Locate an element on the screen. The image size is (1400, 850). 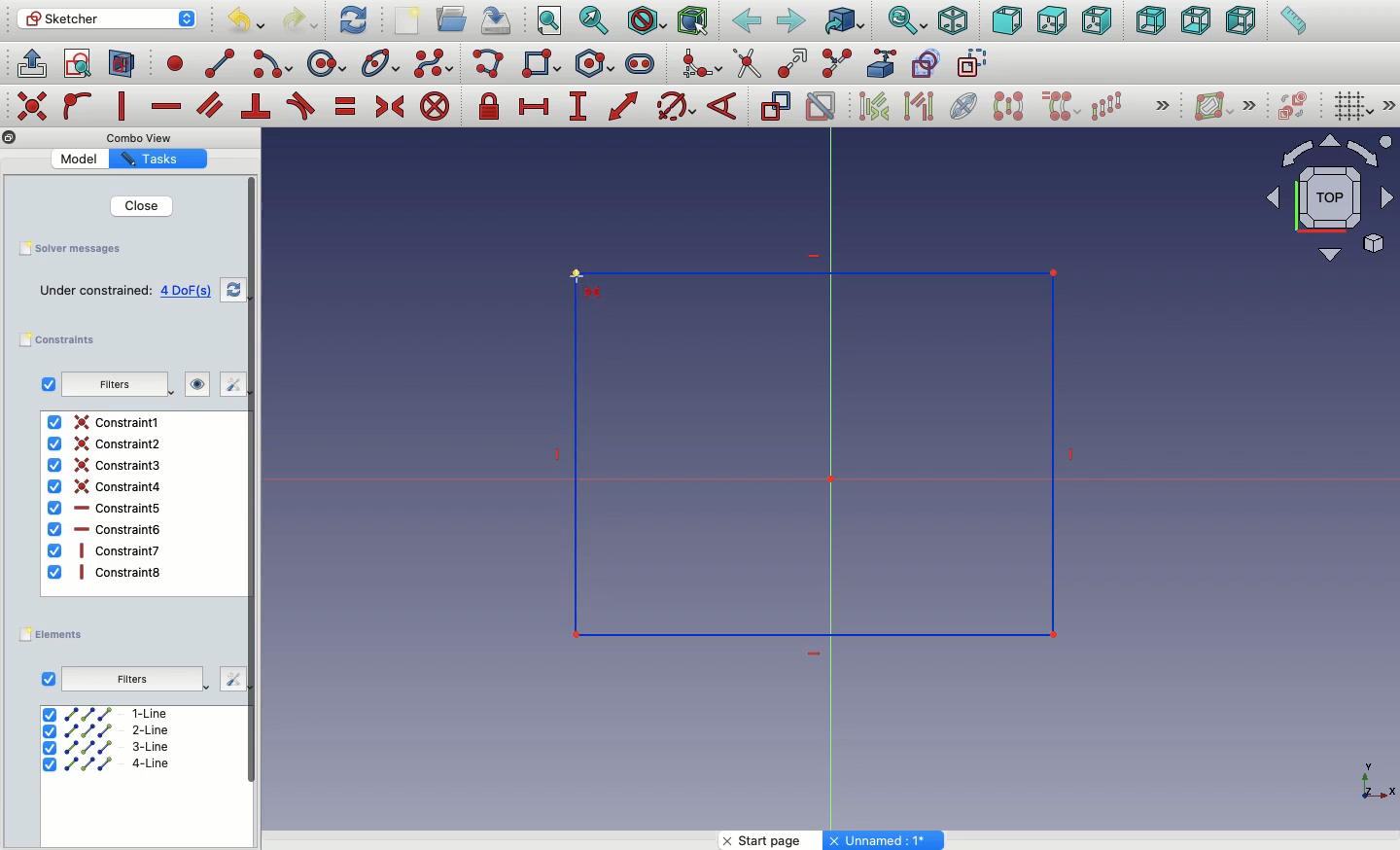
4 DoFs is located at coordinates (191, 291).